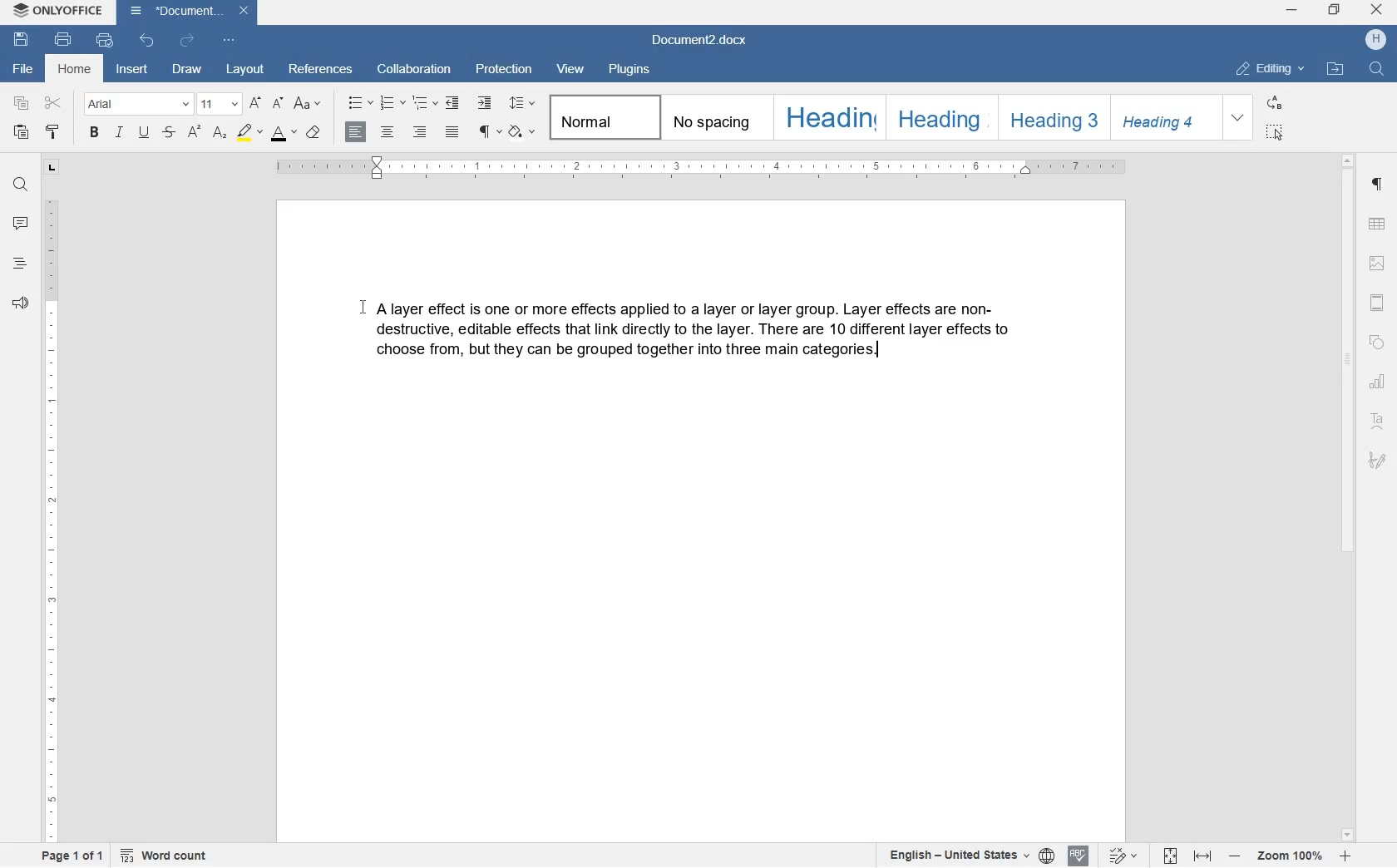 The width and height of the screenshot is (1397, 868). I want to click on layout, so click(243, 68).